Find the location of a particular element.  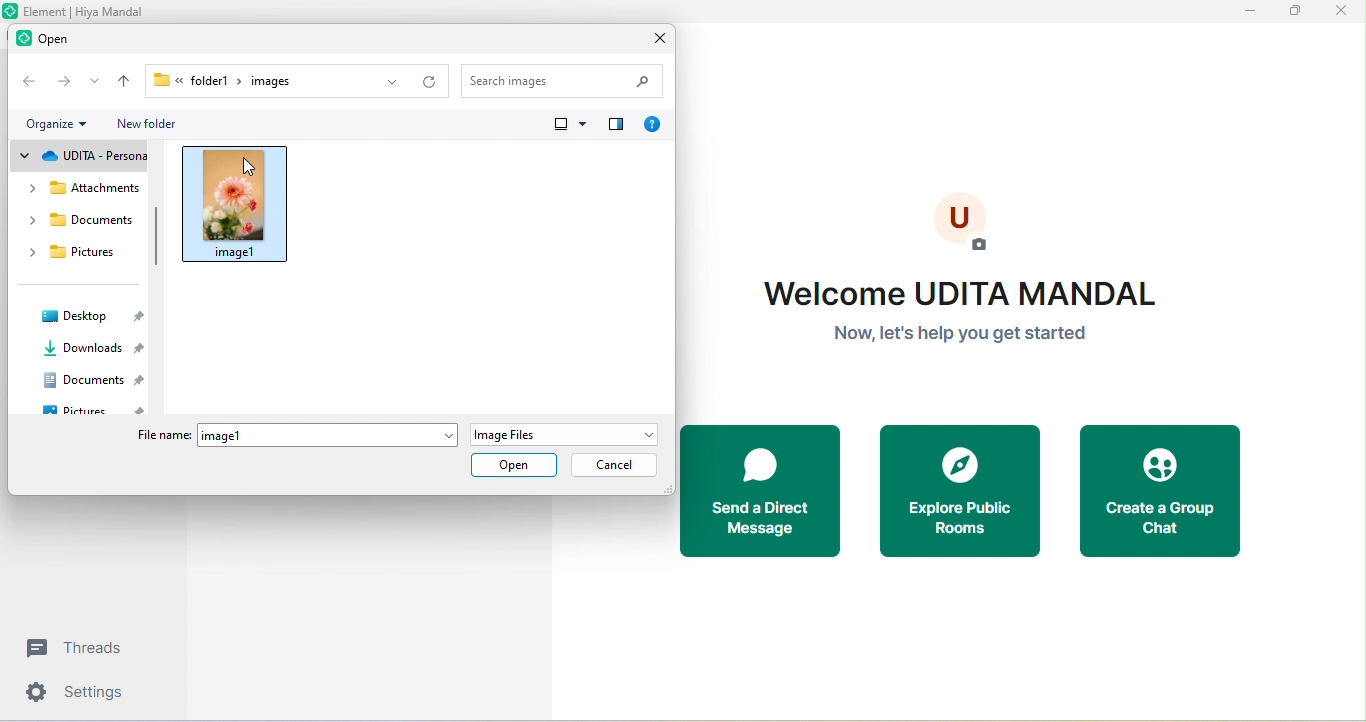

search is located at coordinates (565, 78).